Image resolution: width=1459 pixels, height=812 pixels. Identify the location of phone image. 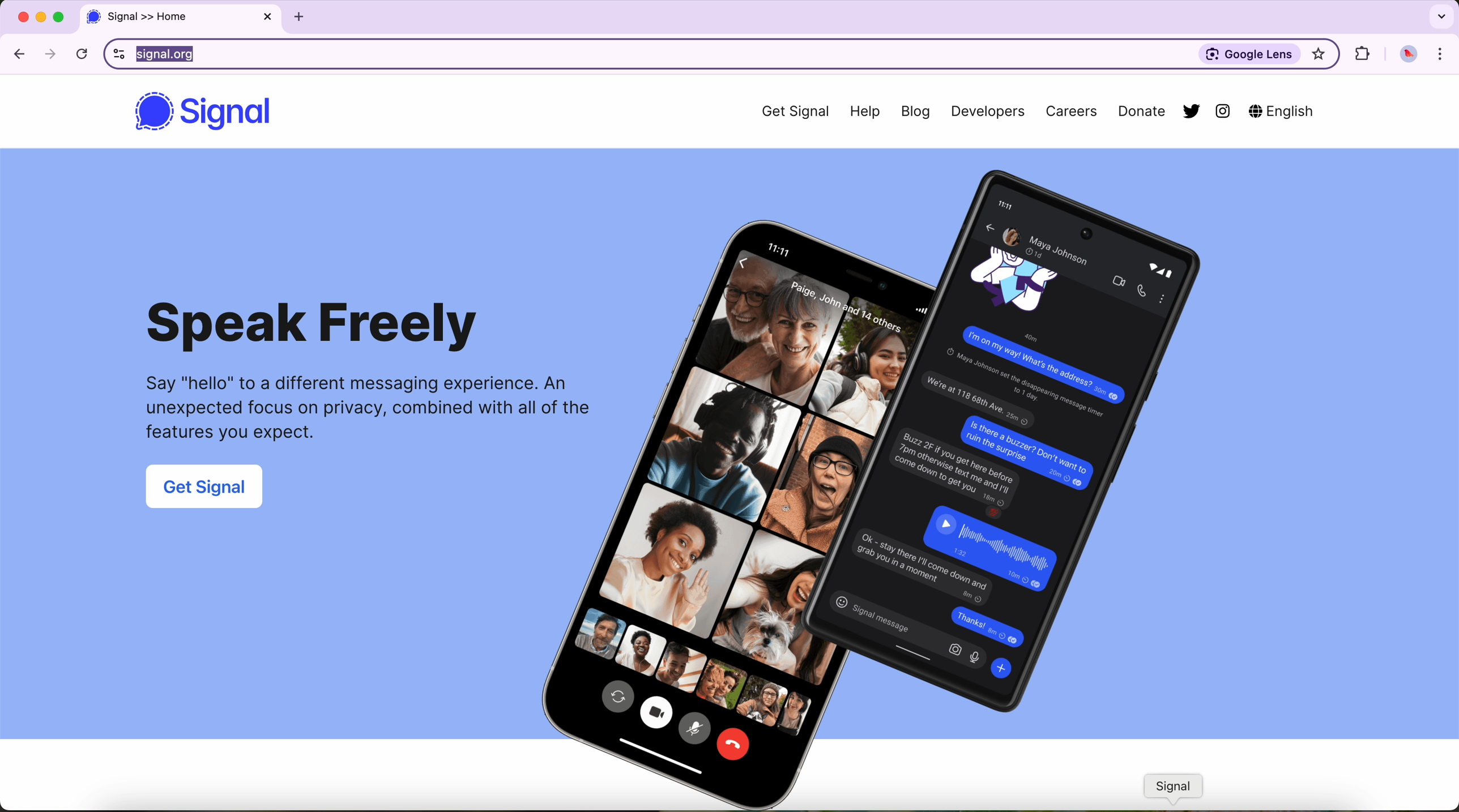
(860, 483).